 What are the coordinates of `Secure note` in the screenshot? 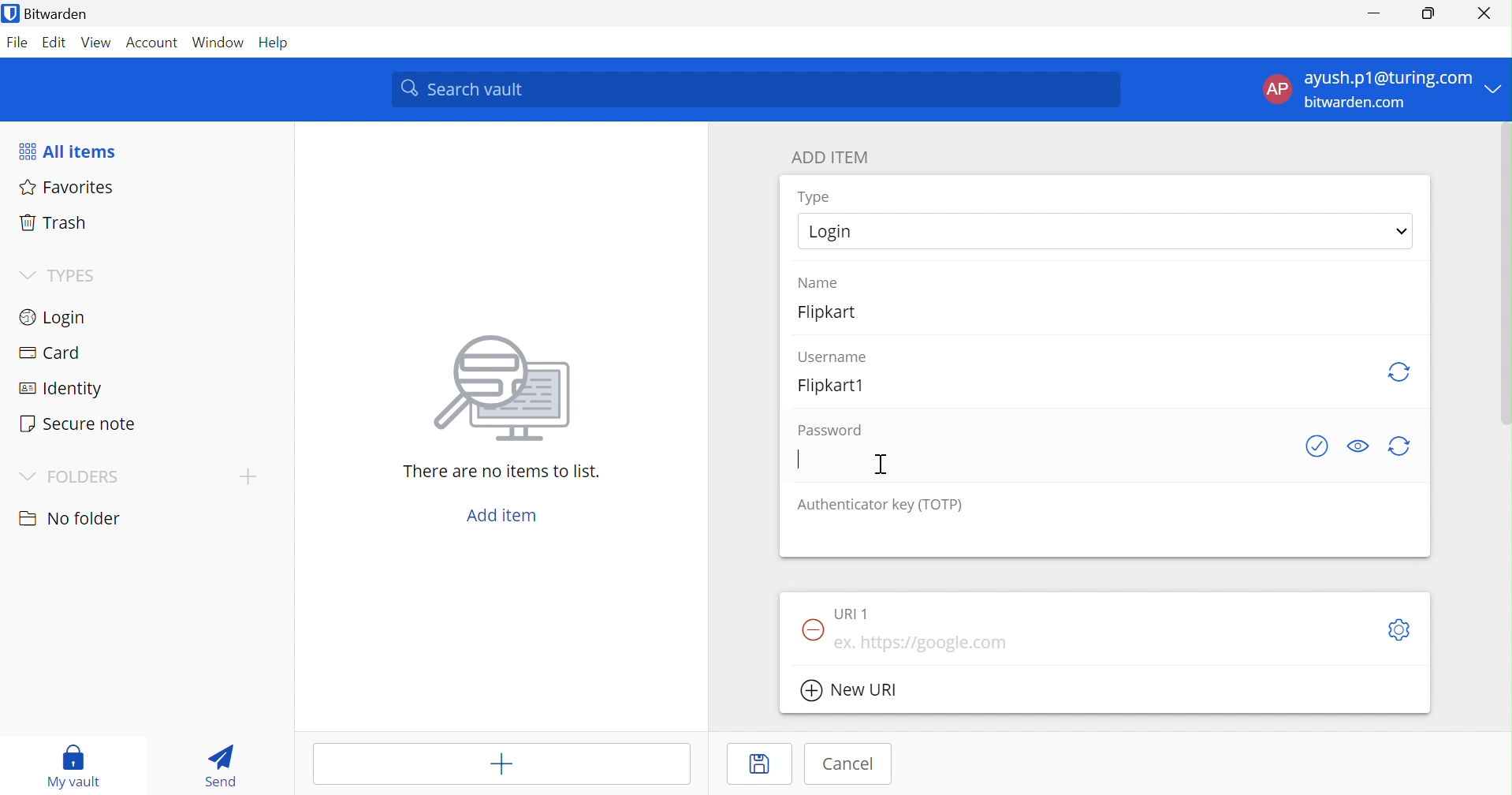 It's located at (80, 426).